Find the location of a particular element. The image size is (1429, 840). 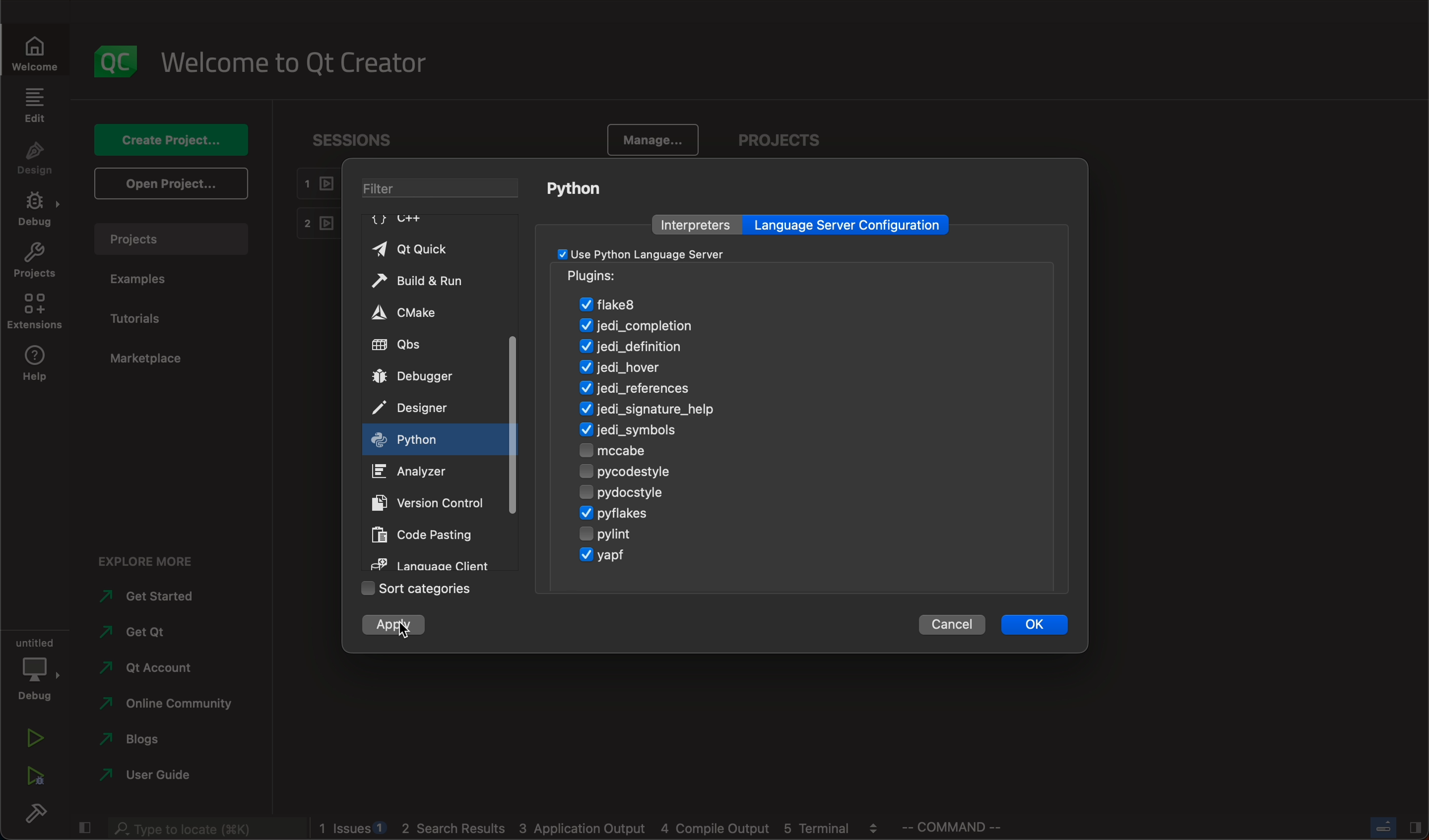

extenstions is located at coordinates (33, 311).